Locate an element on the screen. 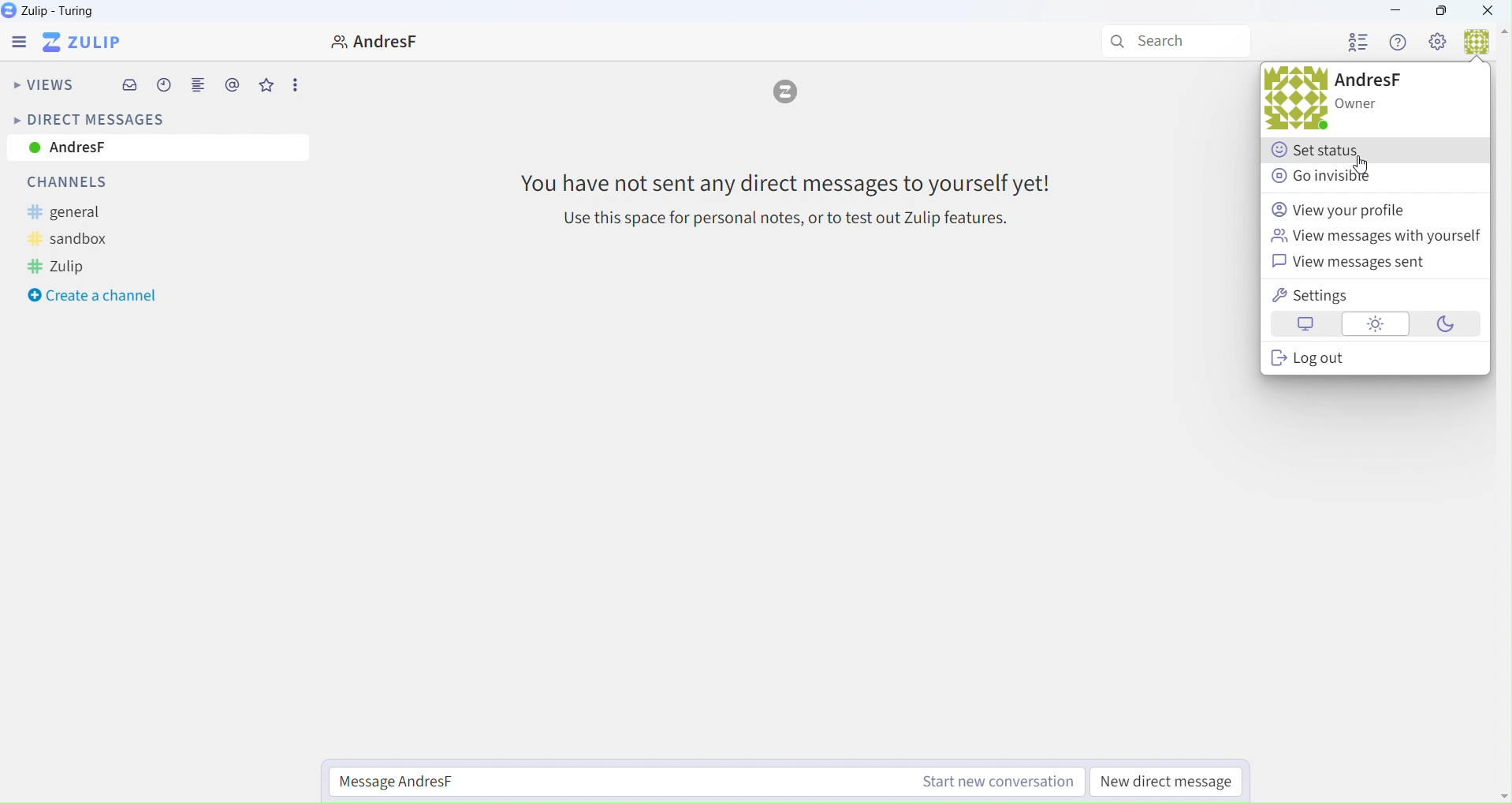 This screenshot has width=1512, height=803. Settings is located at coordinates (1370, 295).